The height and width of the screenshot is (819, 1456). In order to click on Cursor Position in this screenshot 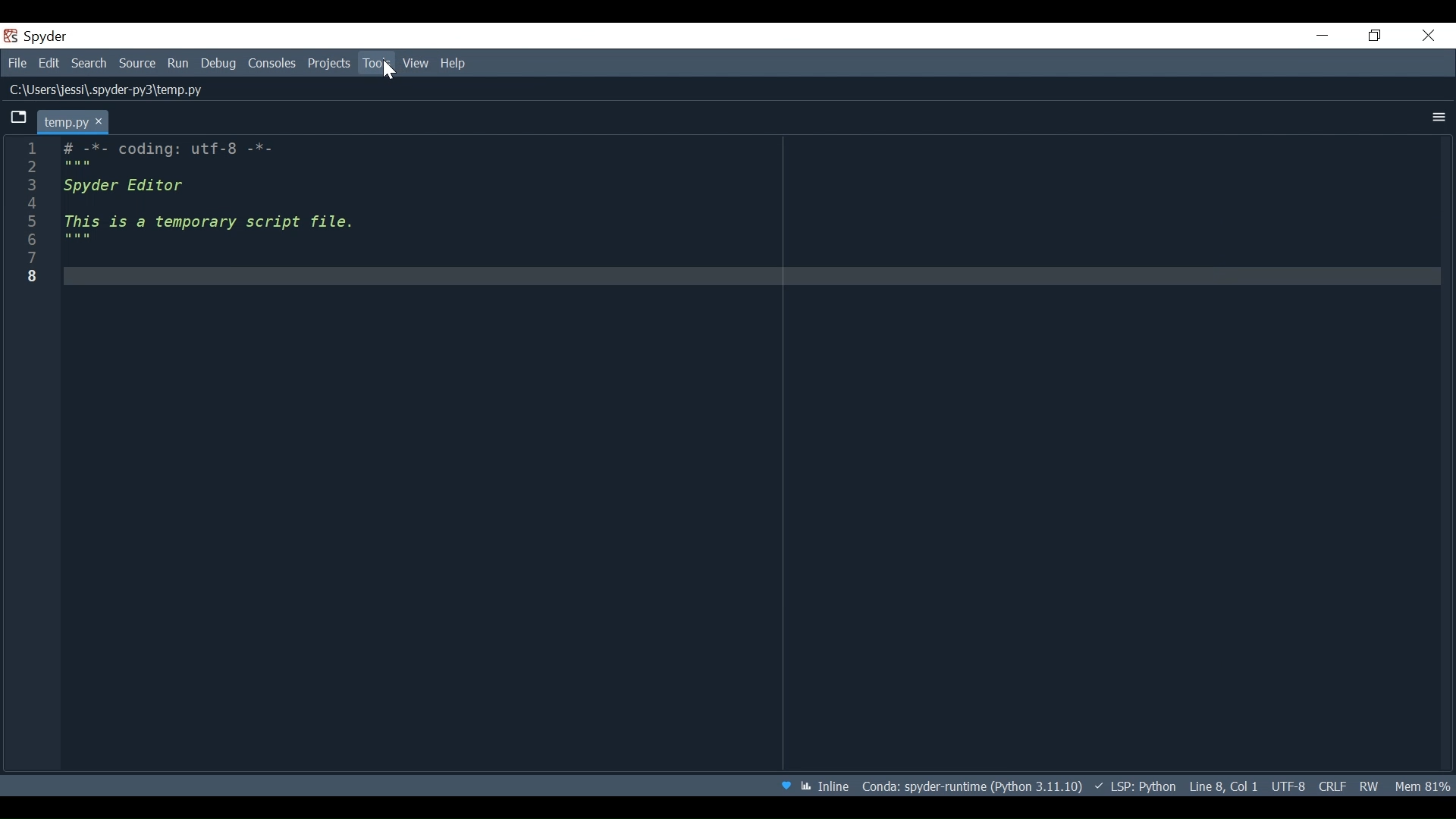, I will do `click(1223, 786)`.